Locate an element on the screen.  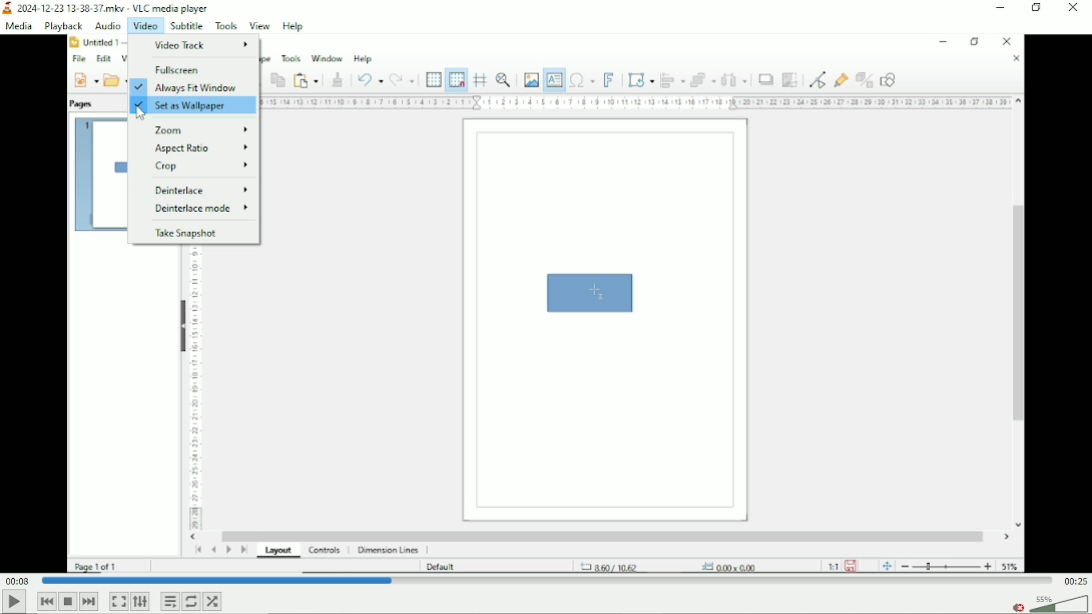
Audio is located at coordinates (105, 26).